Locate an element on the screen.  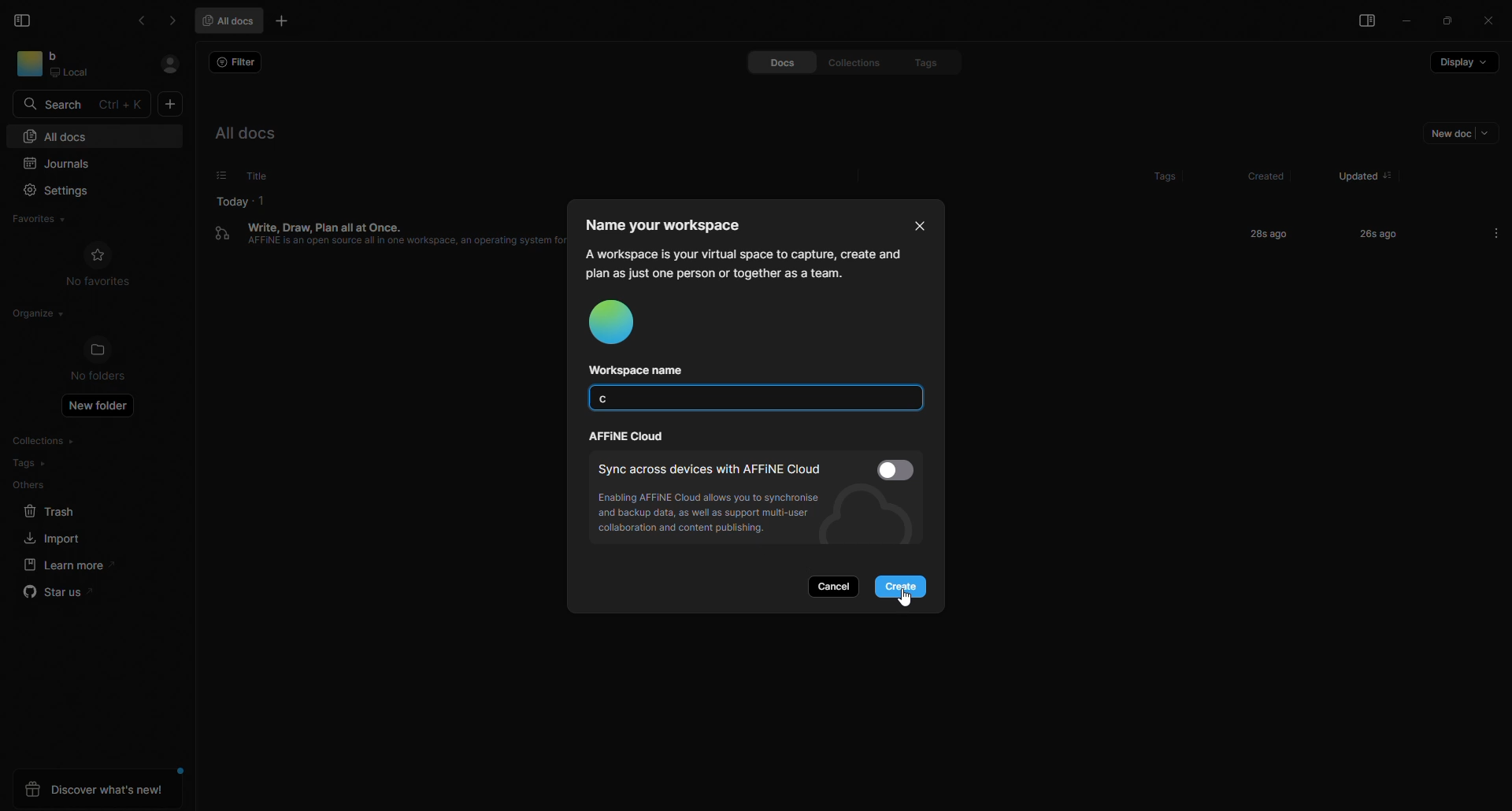
others is located at coordinates (30, 485).